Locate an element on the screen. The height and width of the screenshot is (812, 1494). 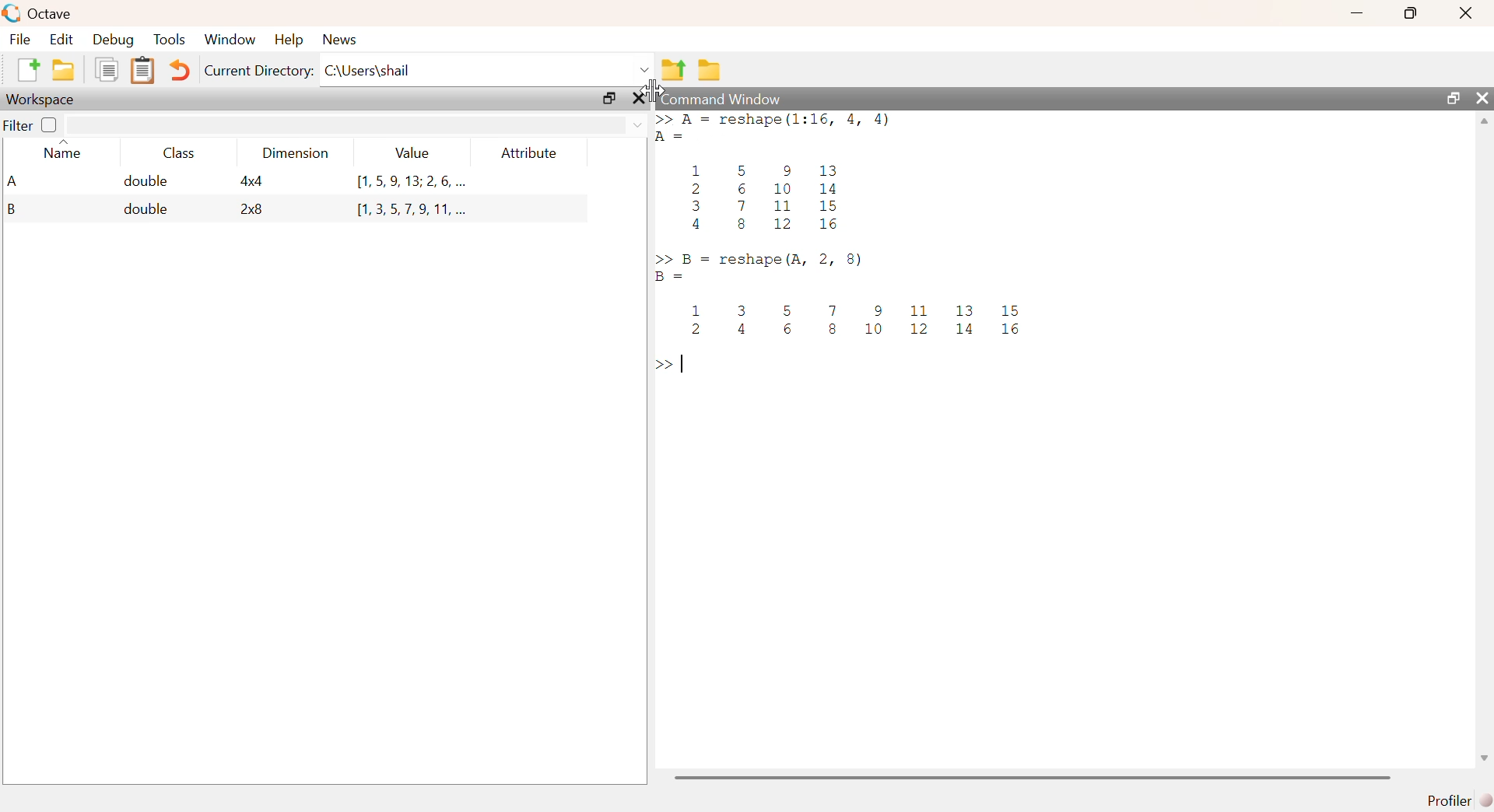
filter is located at coordinates (356, 125).